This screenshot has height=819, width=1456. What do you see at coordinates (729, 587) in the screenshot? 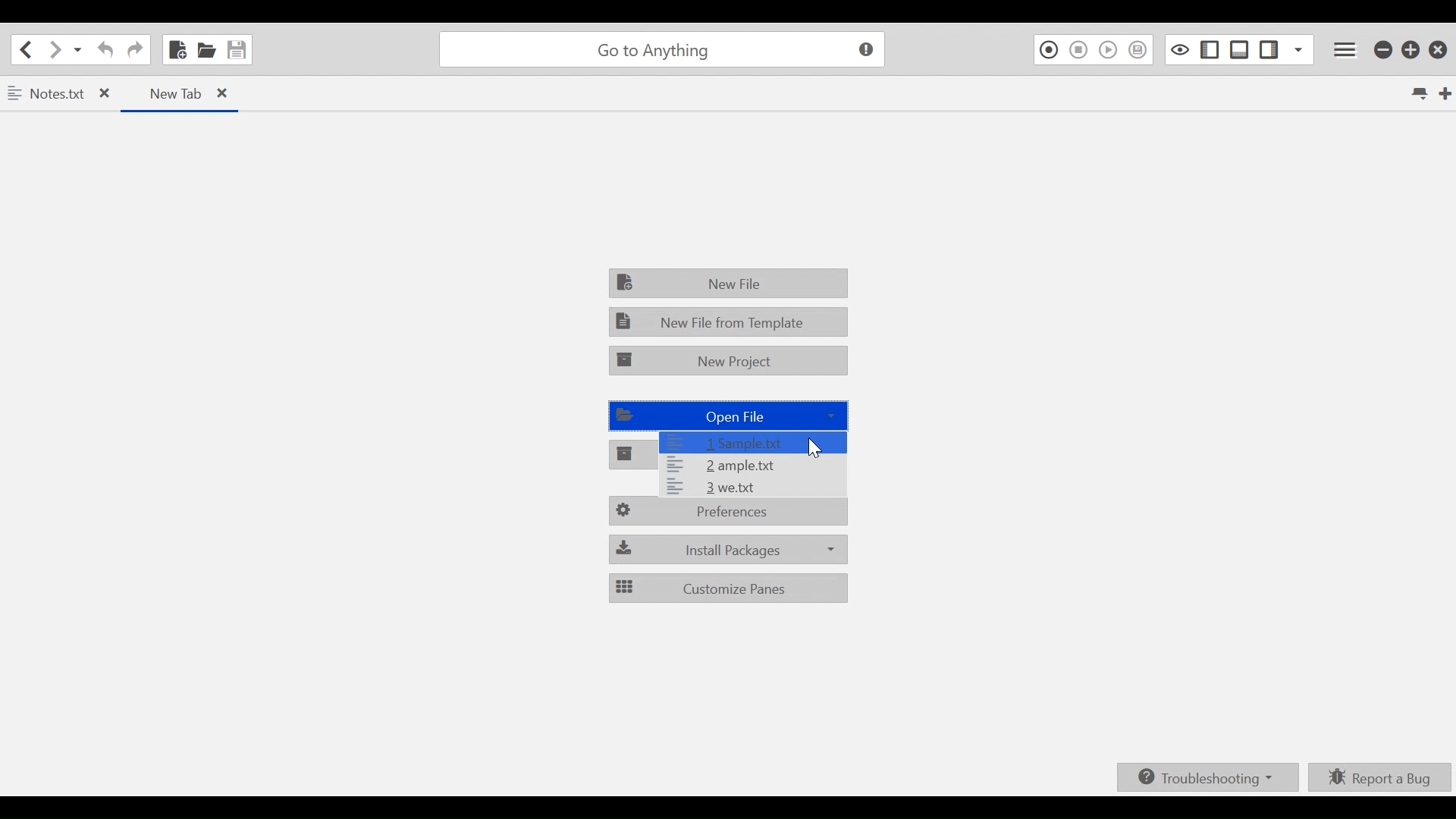
I see `Customize Panes` at bounding box center [729, 587].